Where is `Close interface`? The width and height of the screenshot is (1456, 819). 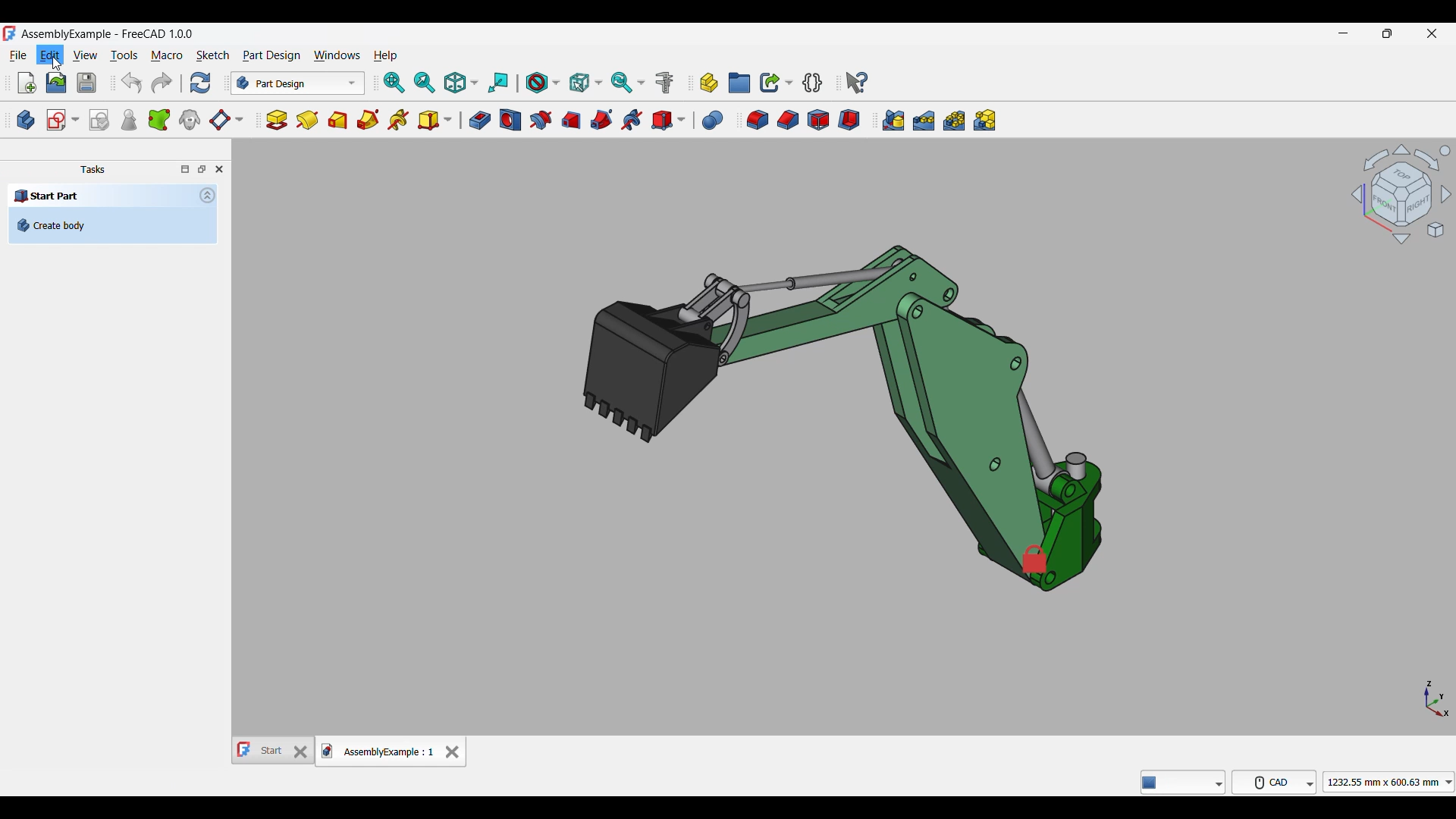
Close interface is located at coordinates (1432, 33).